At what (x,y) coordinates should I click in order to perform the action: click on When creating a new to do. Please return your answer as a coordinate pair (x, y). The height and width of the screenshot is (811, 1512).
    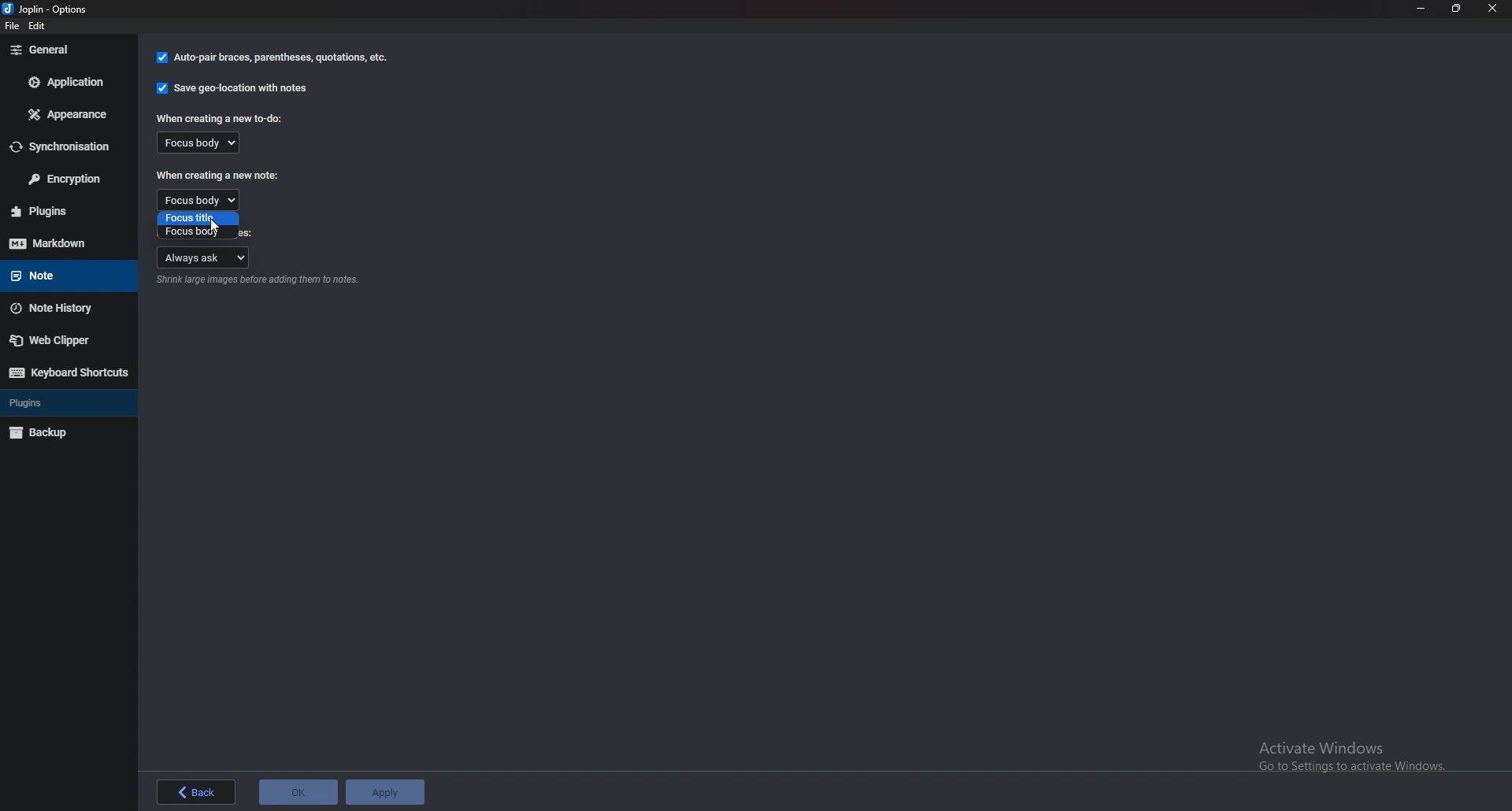
    Looking at the image, I should click on (222, 118).